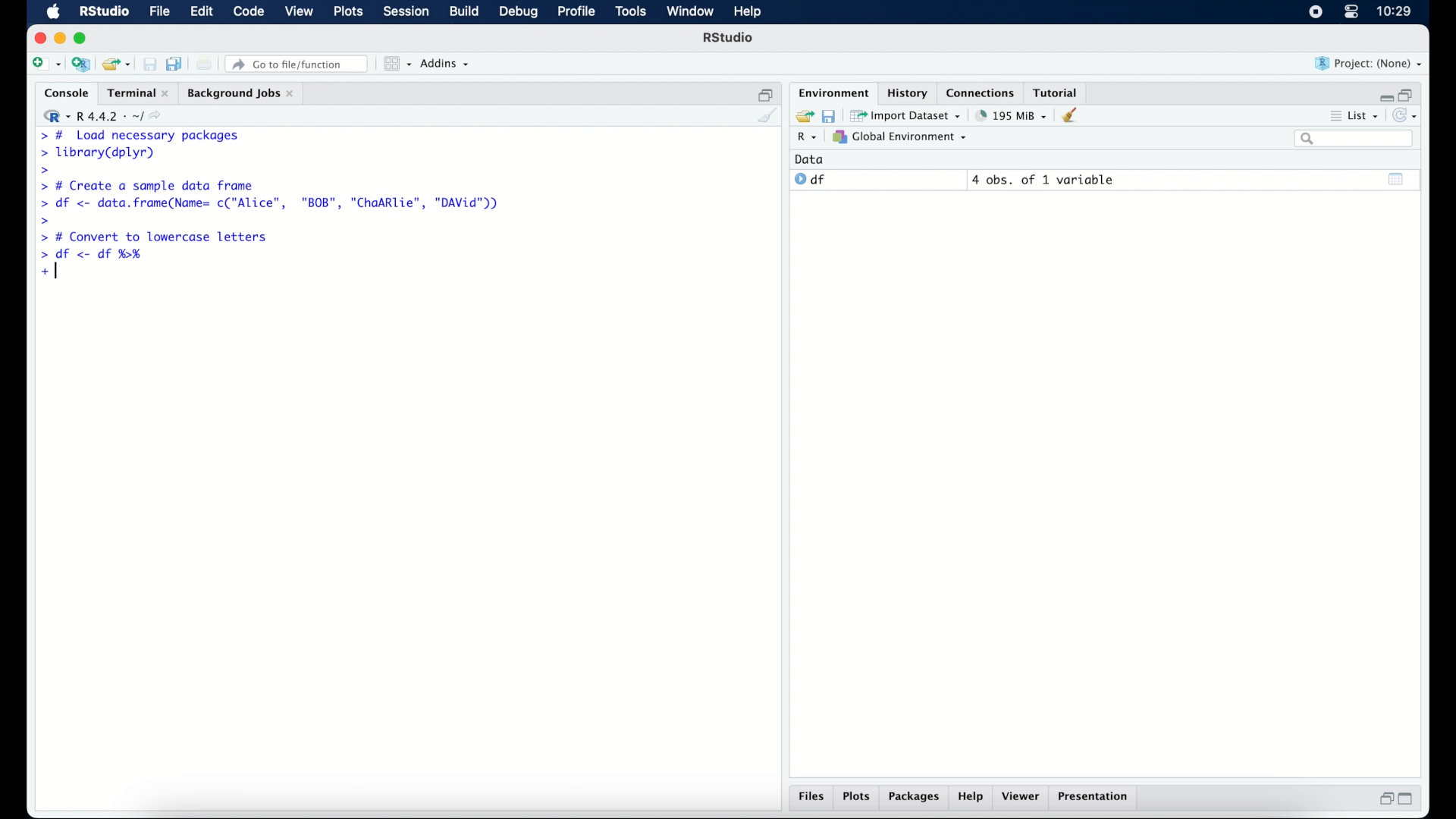  What do you see at coordinates (519, 13) in the screenshot?
I see `debug` at bounding box center [519, 13].